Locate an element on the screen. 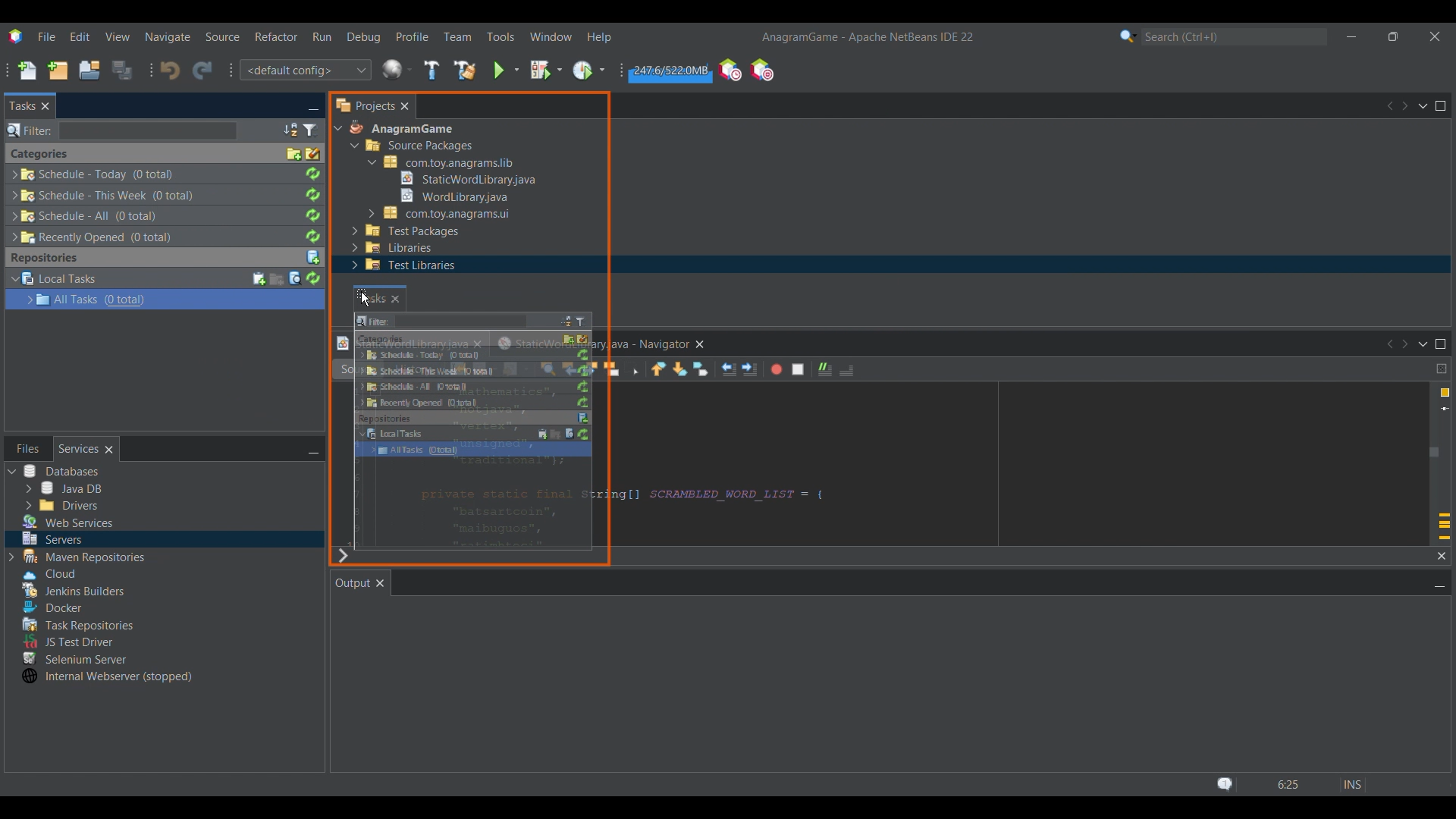 This screenshot has height=819, width=1456. Create new query is located at coordinates (277, 279).